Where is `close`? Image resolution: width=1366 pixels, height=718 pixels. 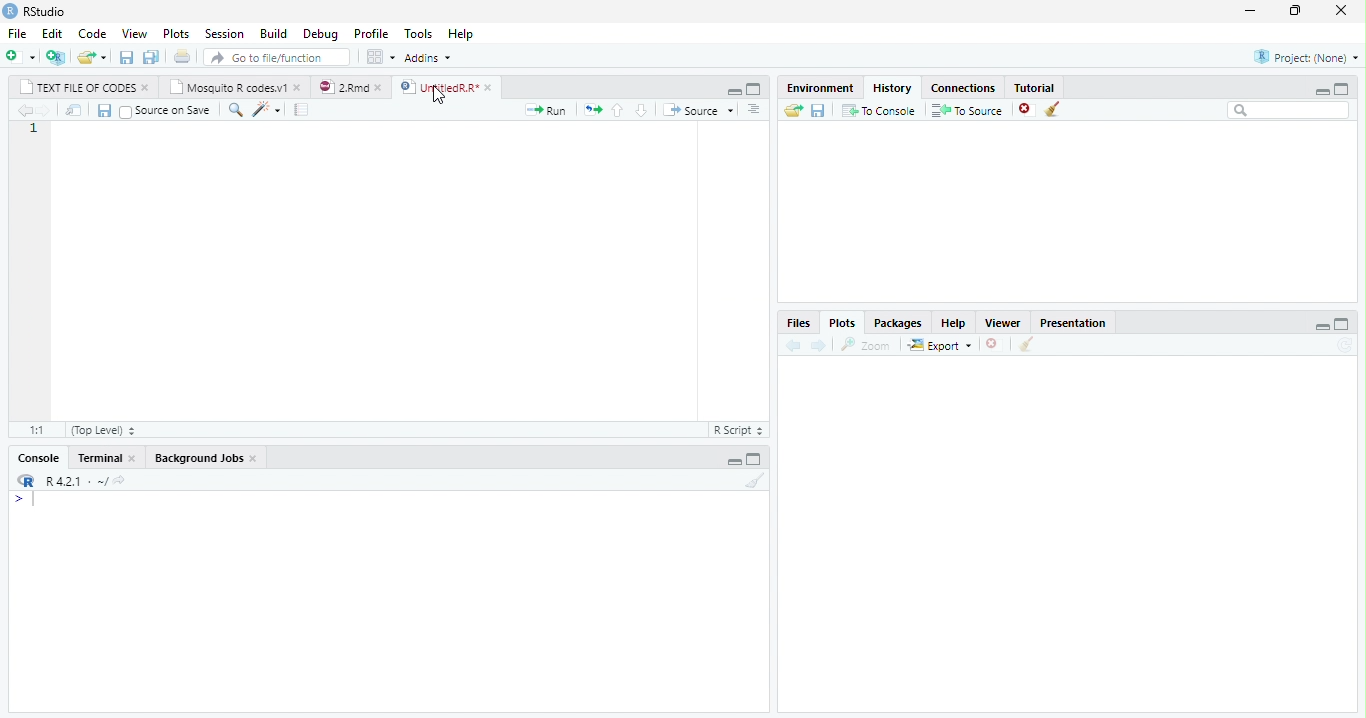
close is located at coordinates (1339, 11).